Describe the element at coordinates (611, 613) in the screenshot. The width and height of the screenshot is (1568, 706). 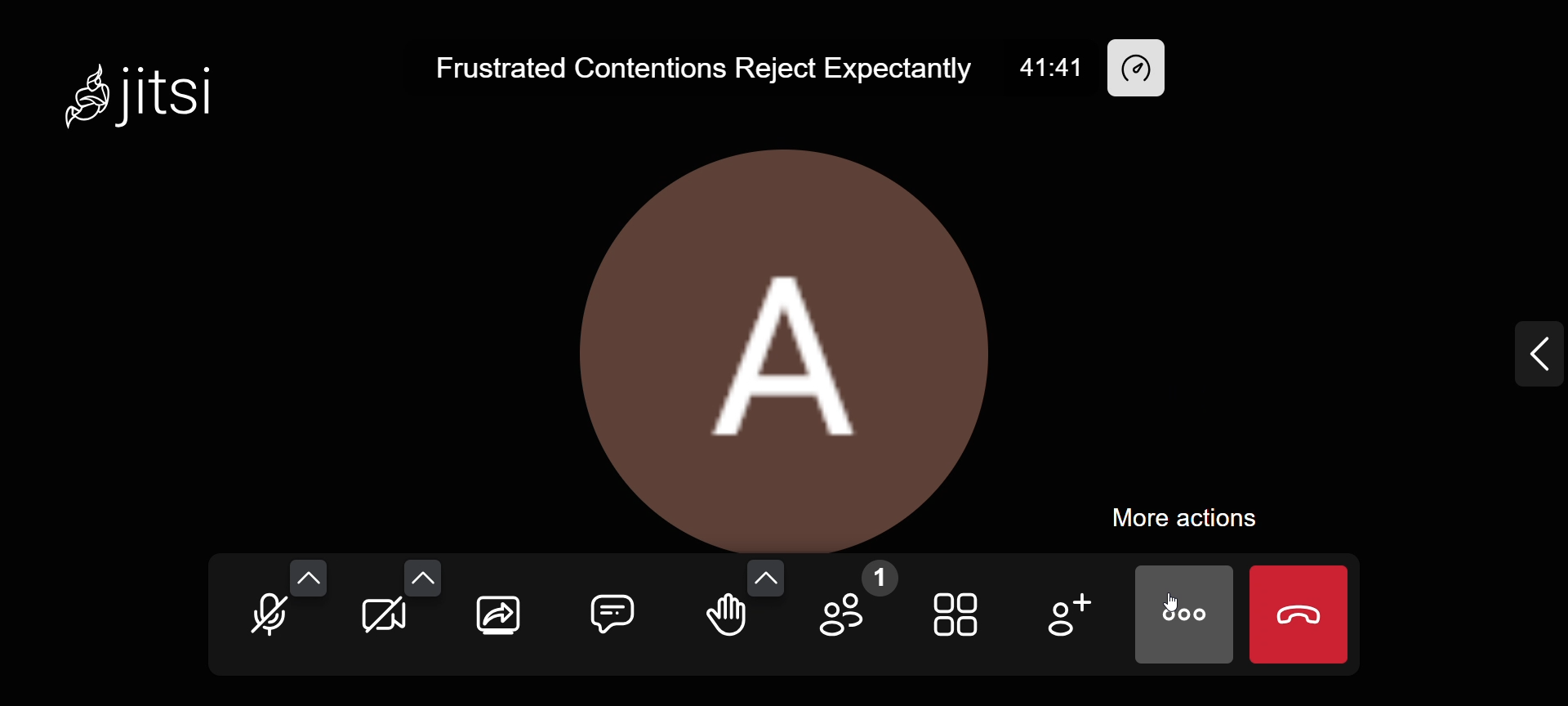
I see `chat` at that location.